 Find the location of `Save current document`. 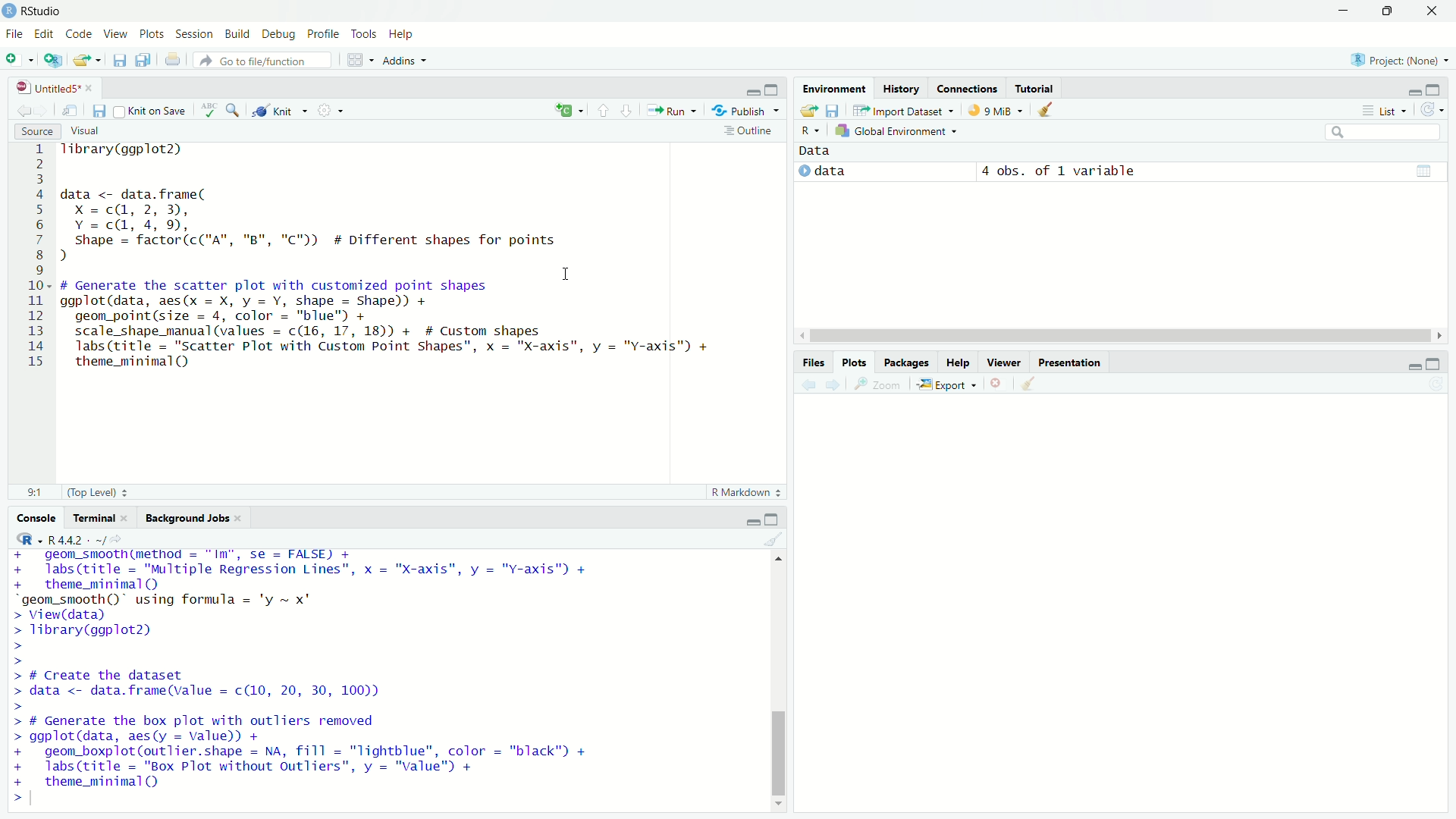

Save current document is located at coordinates (99, 111).